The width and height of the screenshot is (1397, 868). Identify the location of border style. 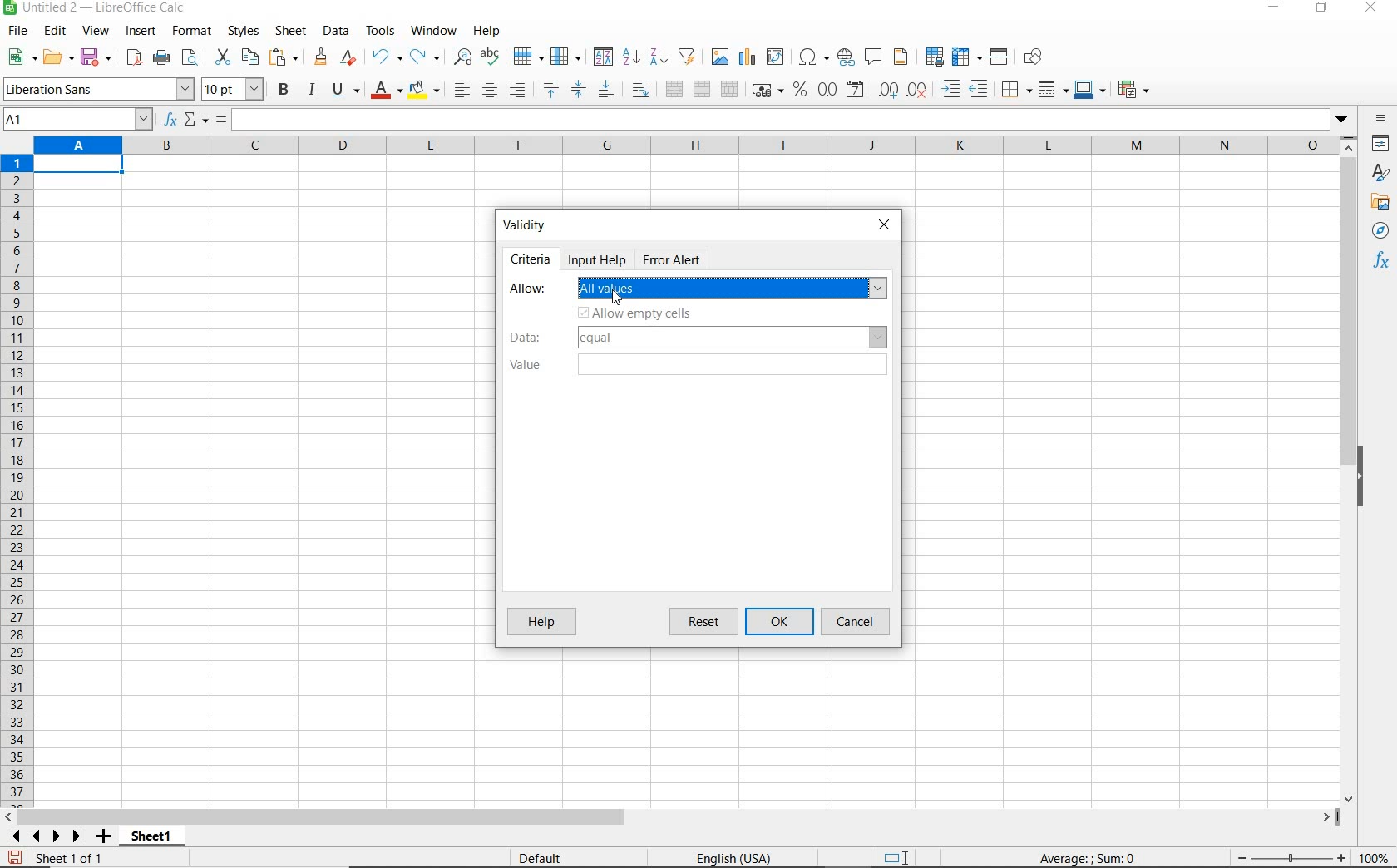
(1054, 89).